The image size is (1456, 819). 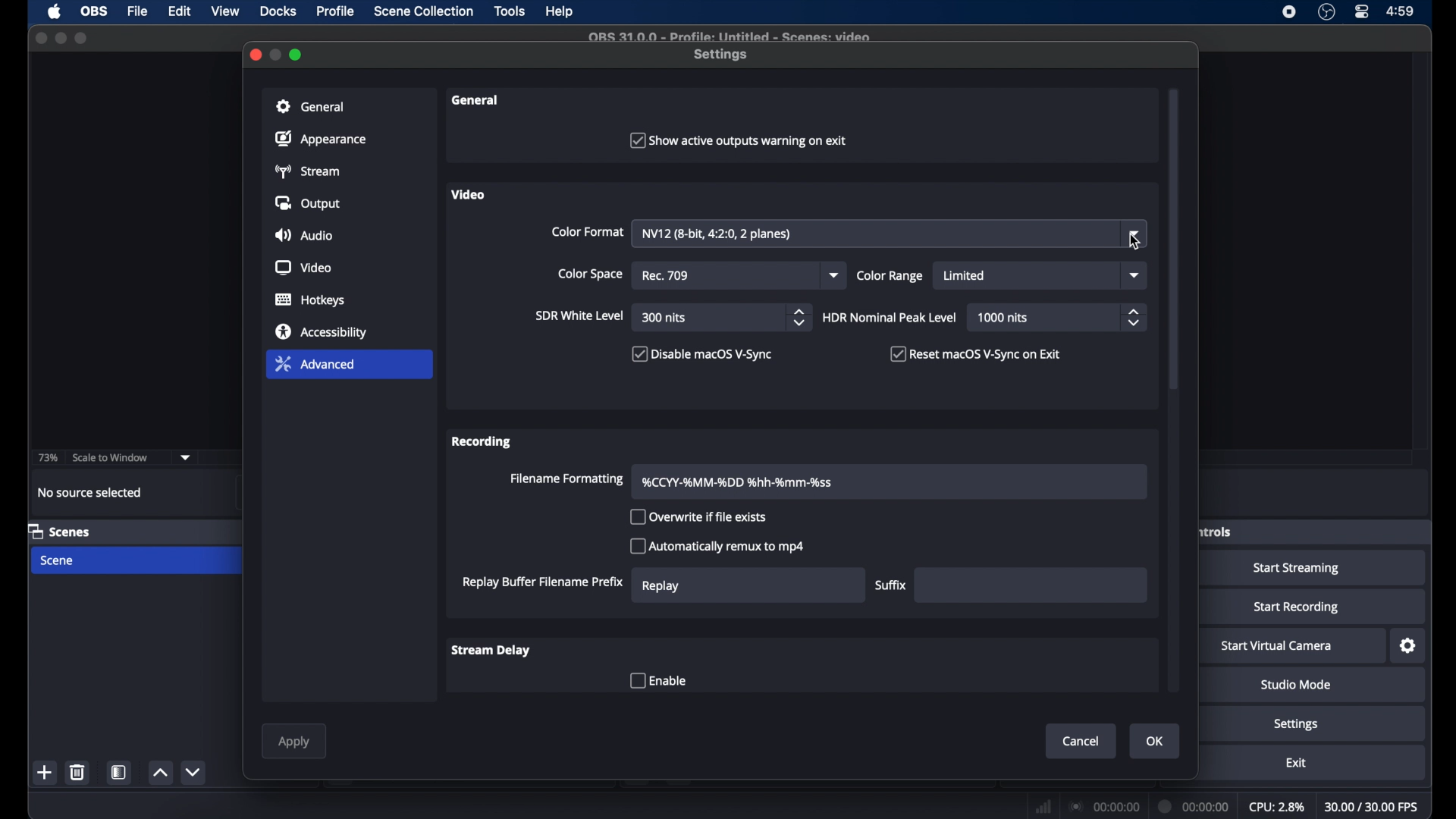 I want to click on edit, so click(x=178, y=11).